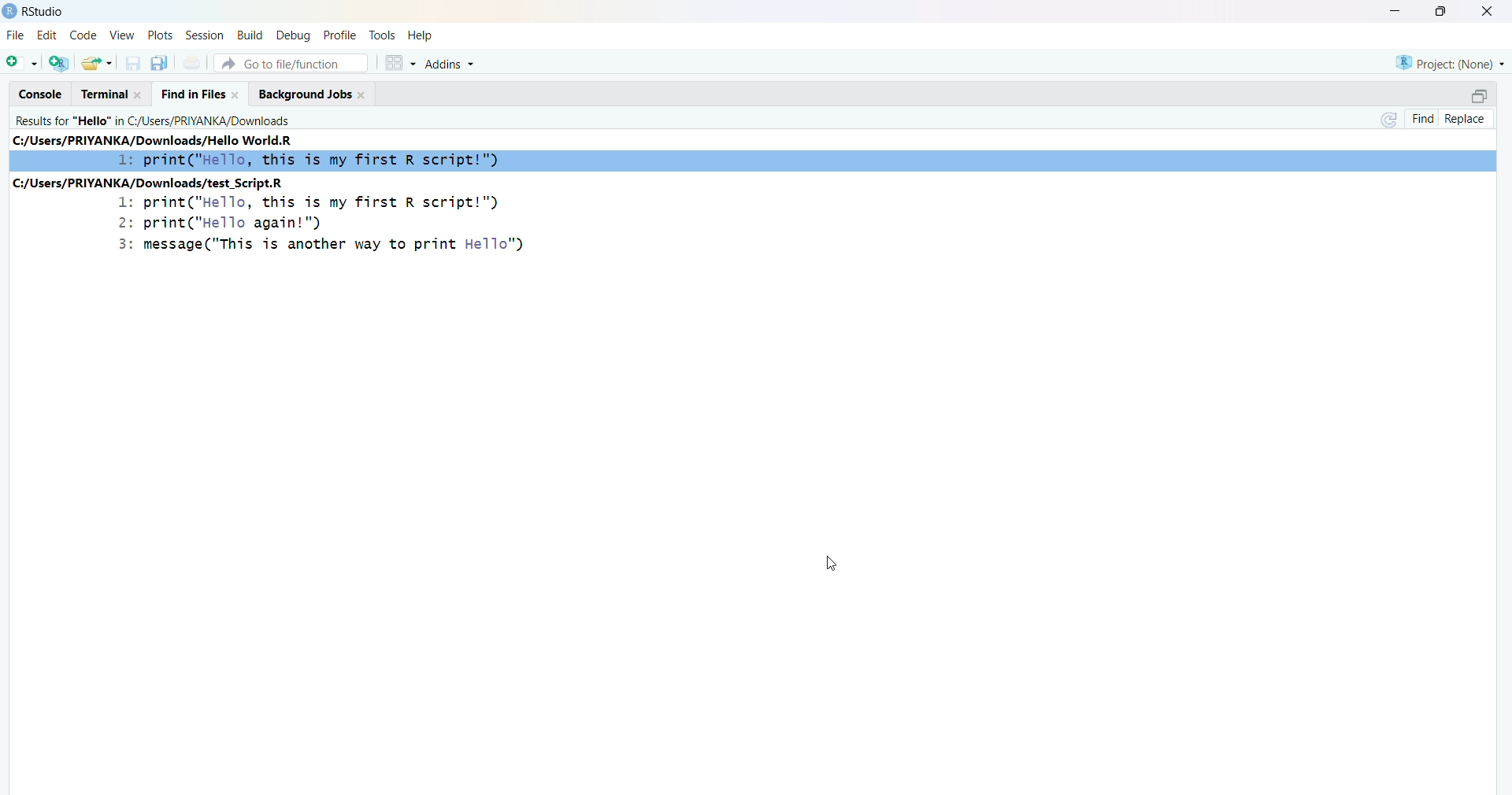 Image resolution: width=1512 pixels, height=795 pixels. What do you see at coordinates (363, 94) in the screenshot?
I see `close` at bounding box center [363, 94].